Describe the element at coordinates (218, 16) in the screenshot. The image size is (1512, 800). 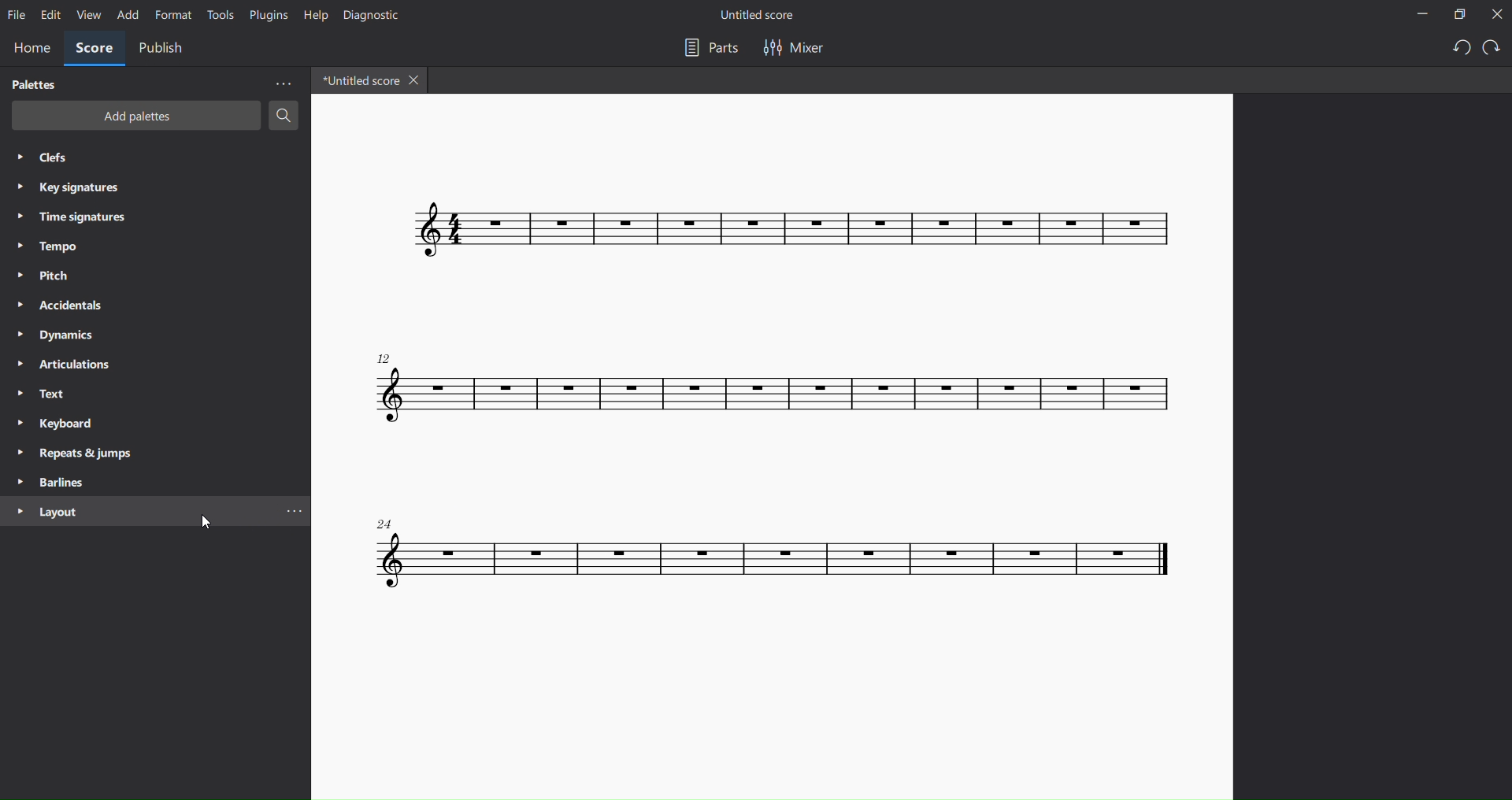
I see `tools` at that location.